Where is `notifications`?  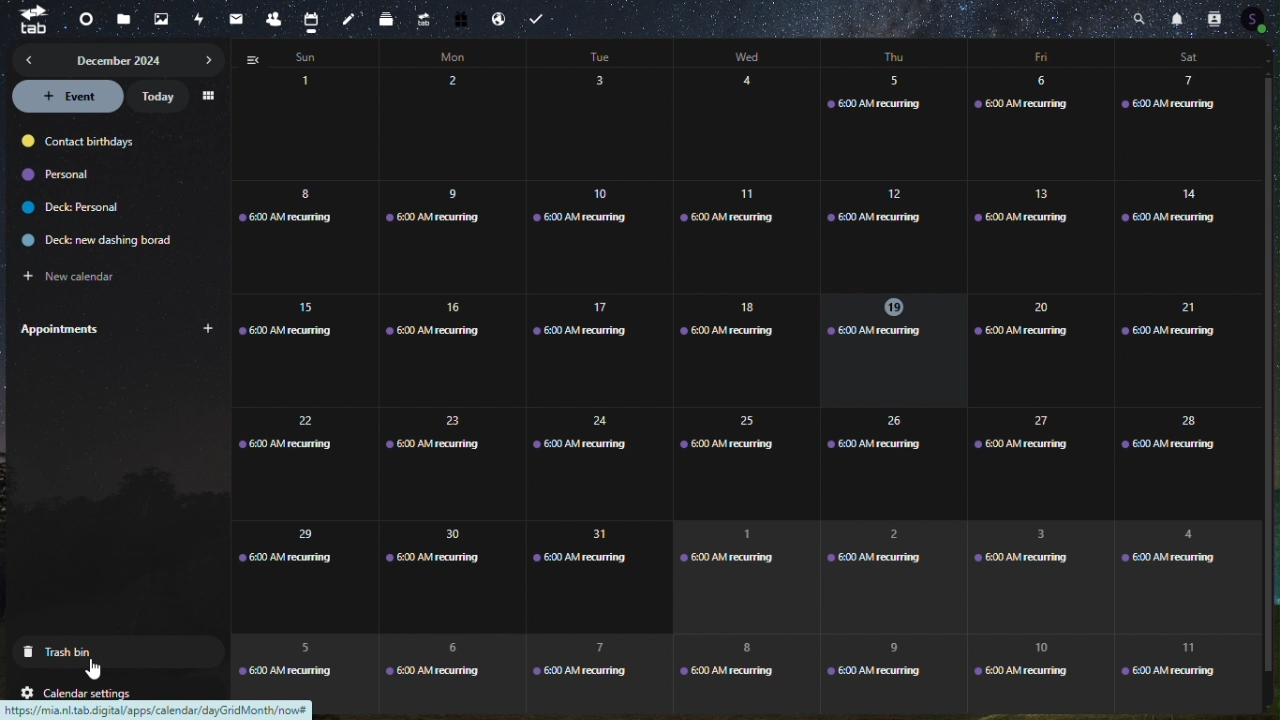 notifications is located at coordinates (1179, 18).